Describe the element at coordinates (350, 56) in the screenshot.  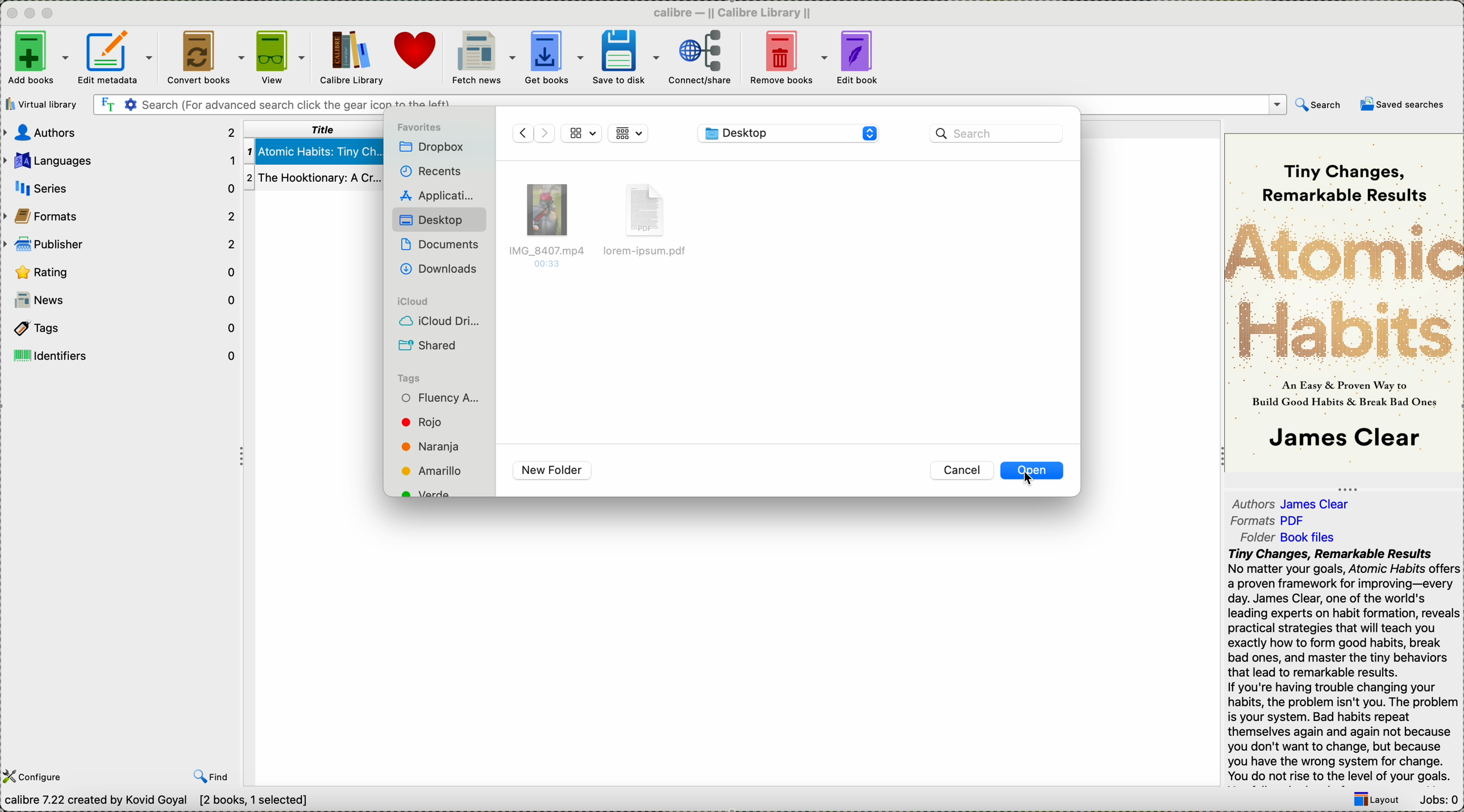
I see `Calibre library` at that location.